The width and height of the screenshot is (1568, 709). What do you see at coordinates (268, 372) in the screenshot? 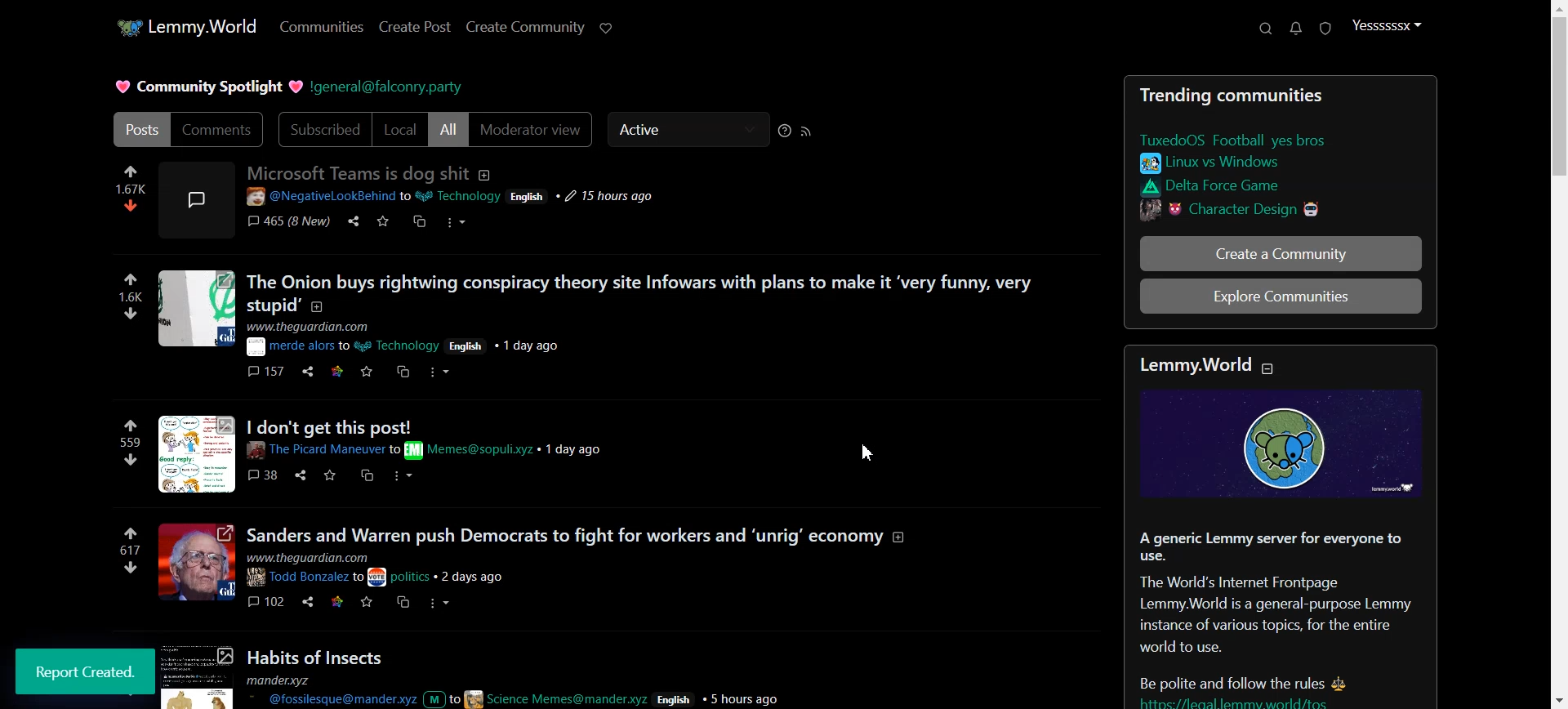
I see `comments` at bounding box center [268, 372].